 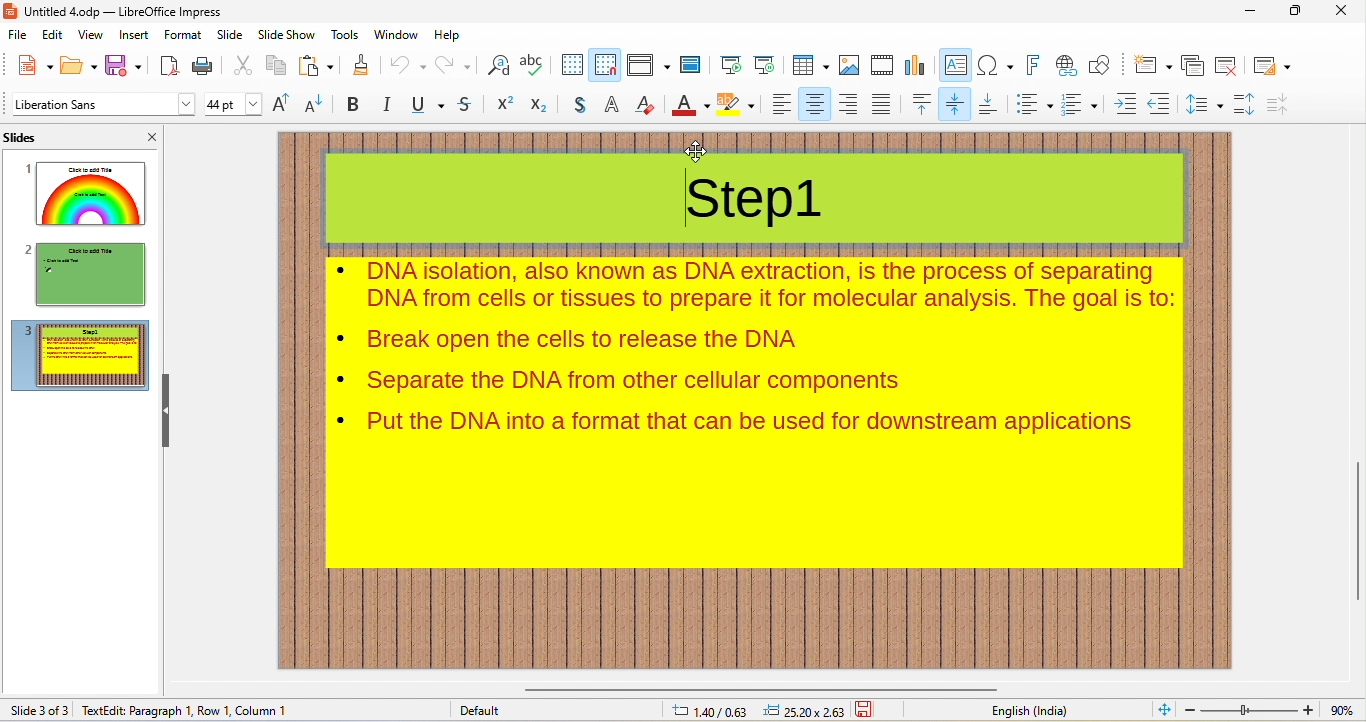 What do you see at coordinates (534, 64) in the screenshot?
I see `spelling` at bounding box center [534, 64].